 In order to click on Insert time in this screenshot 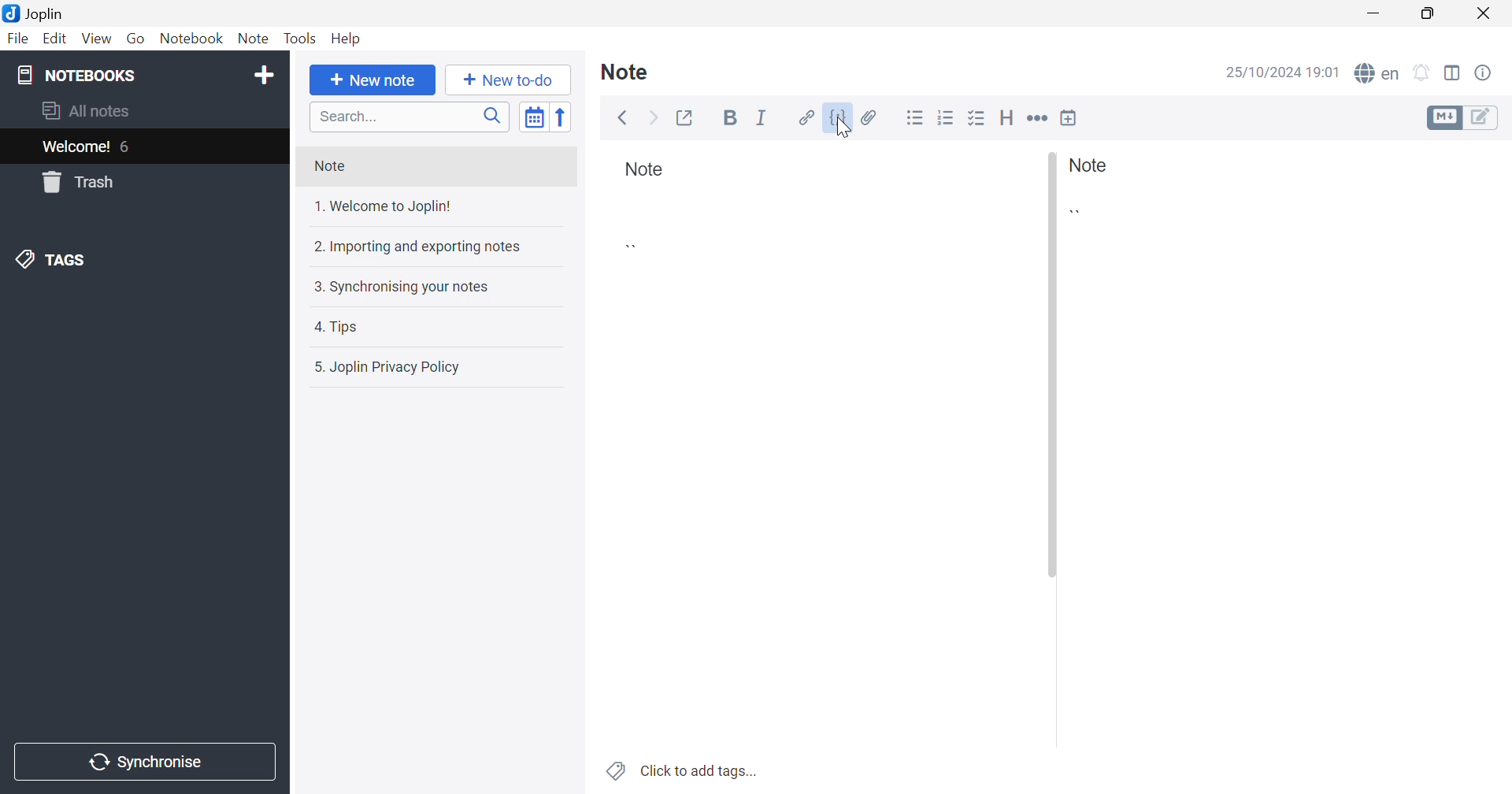, I will do `click(1069, 120)`.